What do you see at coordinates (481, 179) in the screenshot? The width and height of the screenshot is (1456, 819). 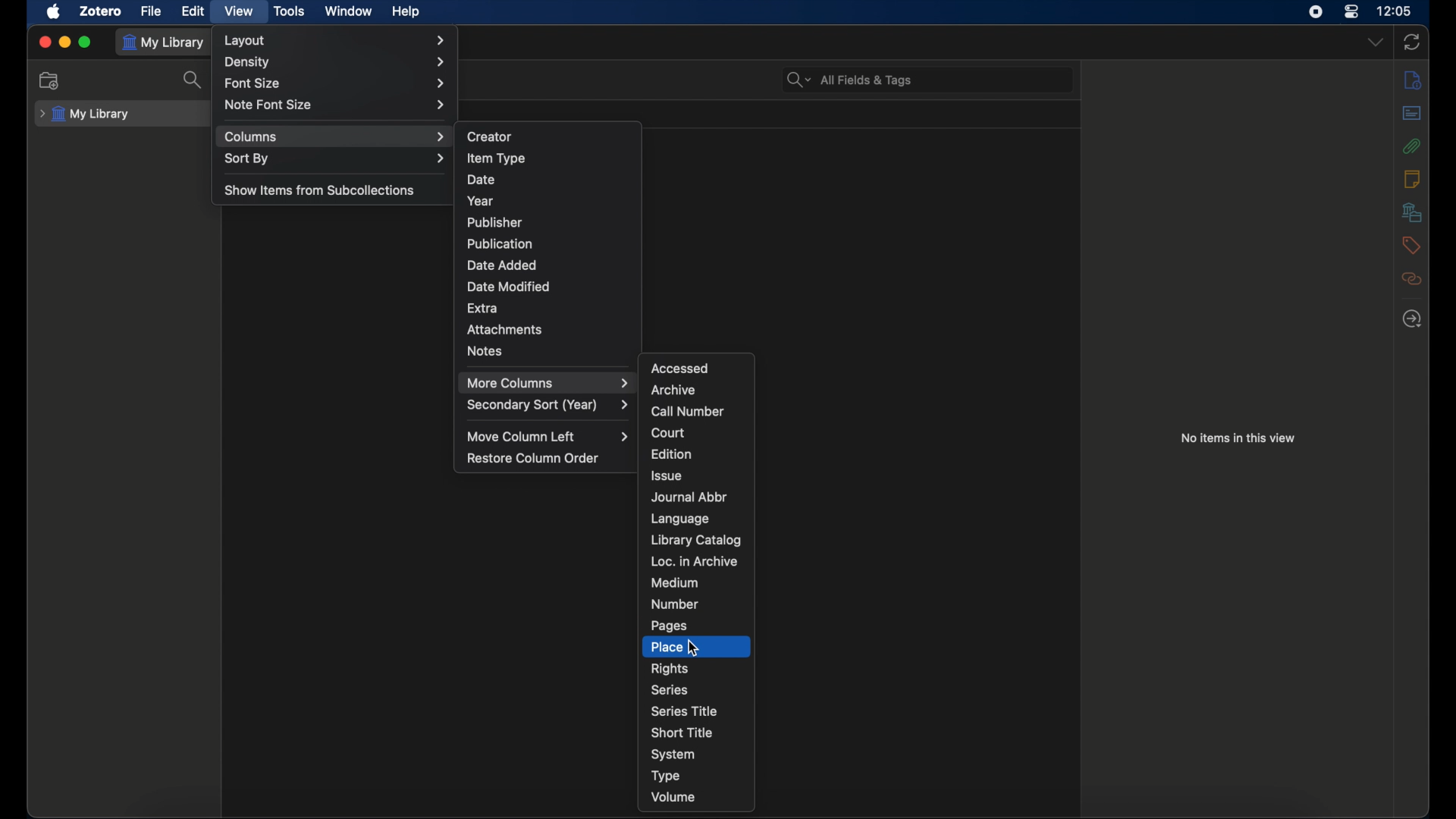 I see `date` at bounding box center [481, 179].